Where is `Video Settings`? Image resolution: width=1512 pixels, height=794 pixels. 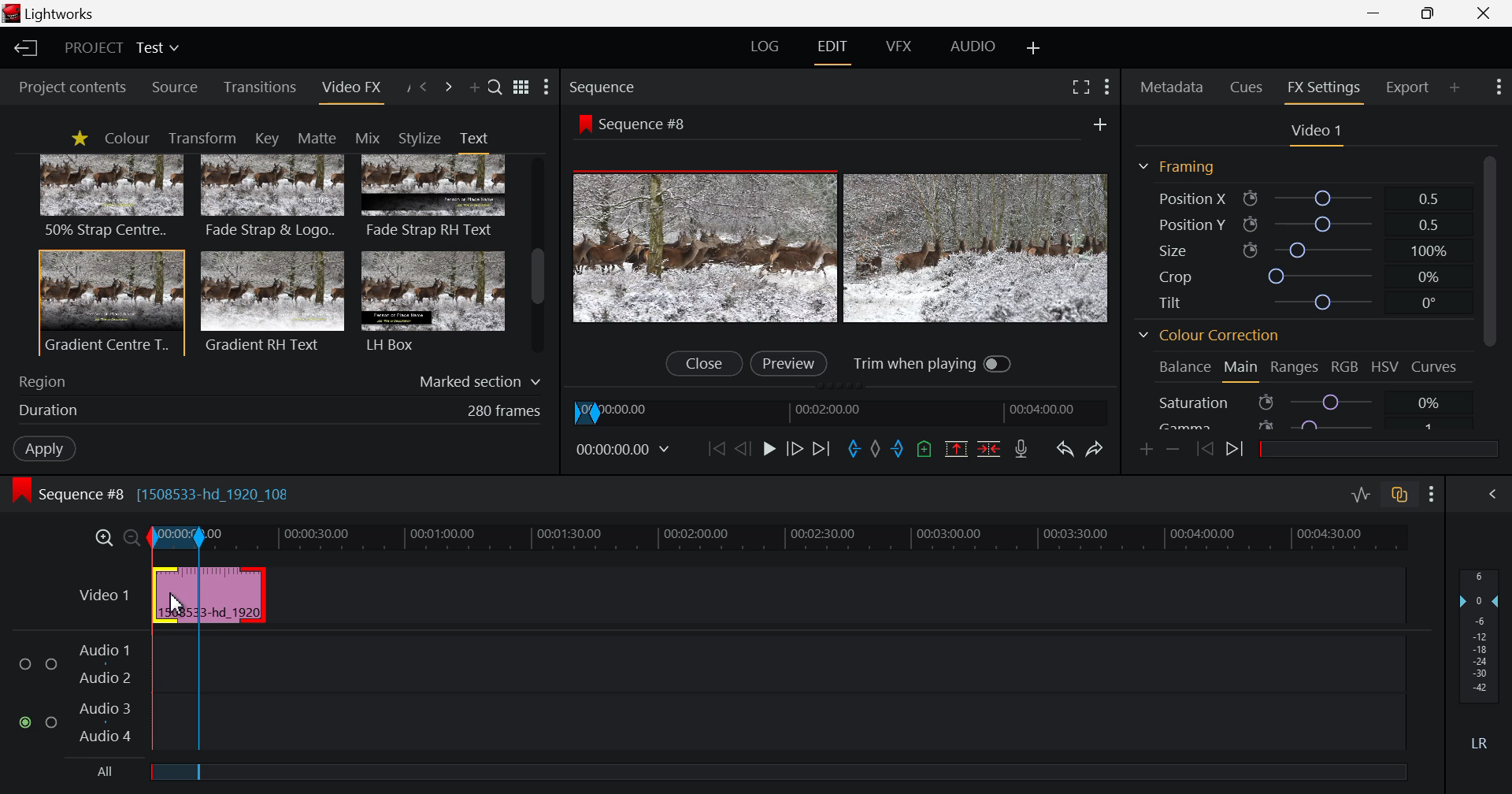 Video Settings is located at coordinates (1317, 132).